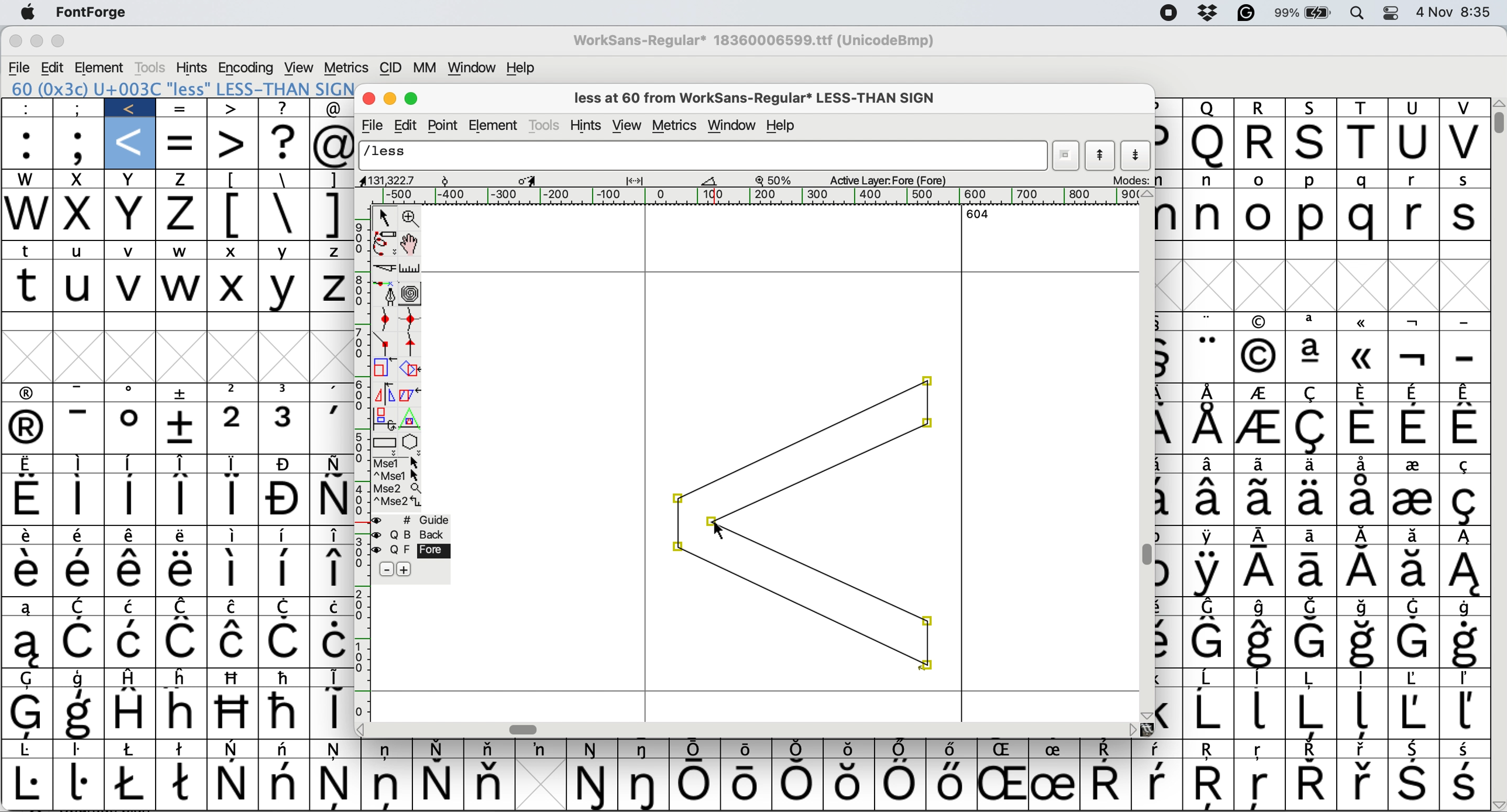 The height and width of the screenshot is (812, 1507). What do you see at coordinates (1359, 15) in the screenshot?
I see `spotlight searcg` at bounding box center [1359, 15].